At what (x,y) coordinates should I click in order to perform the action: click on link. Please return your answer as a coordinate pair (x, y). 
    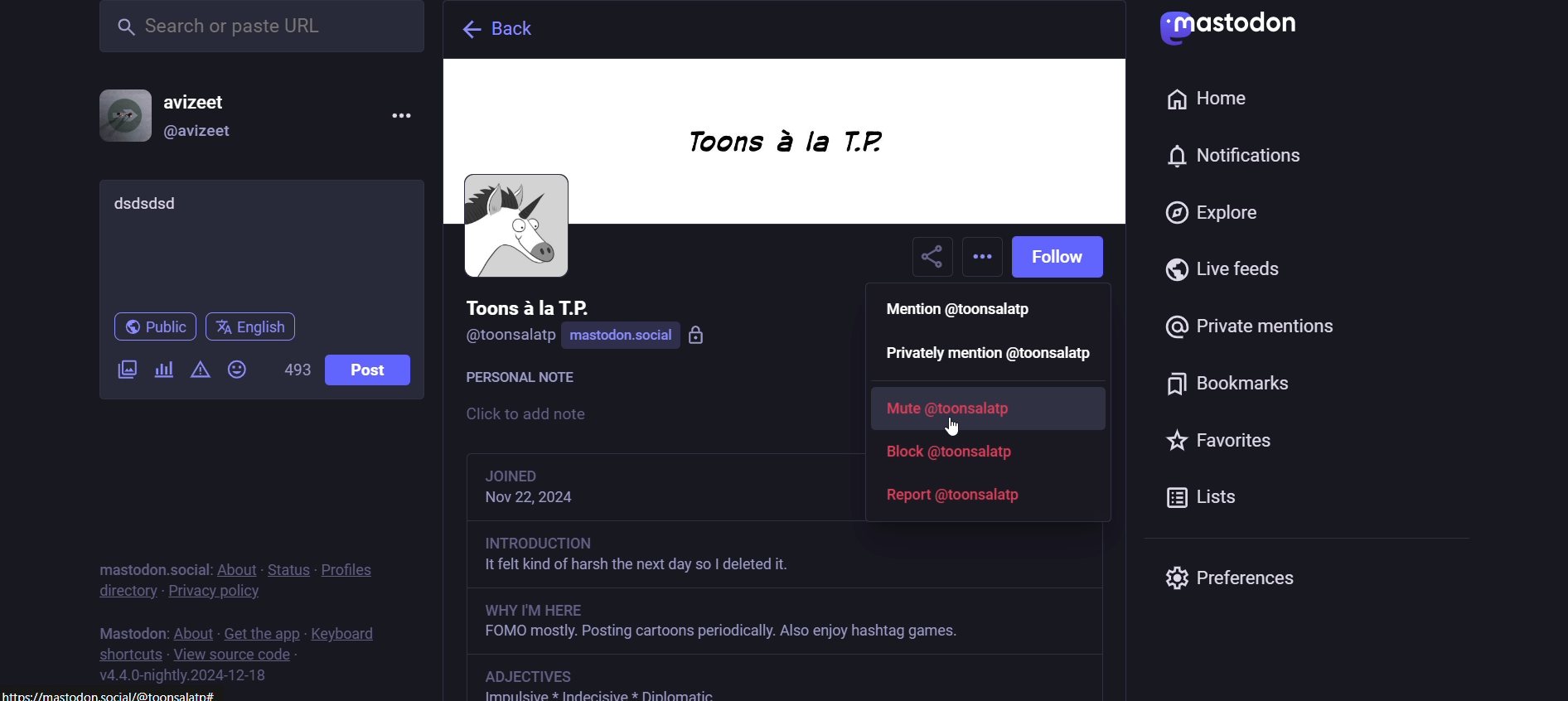
    Looking at the image, I should click on (536, 675).